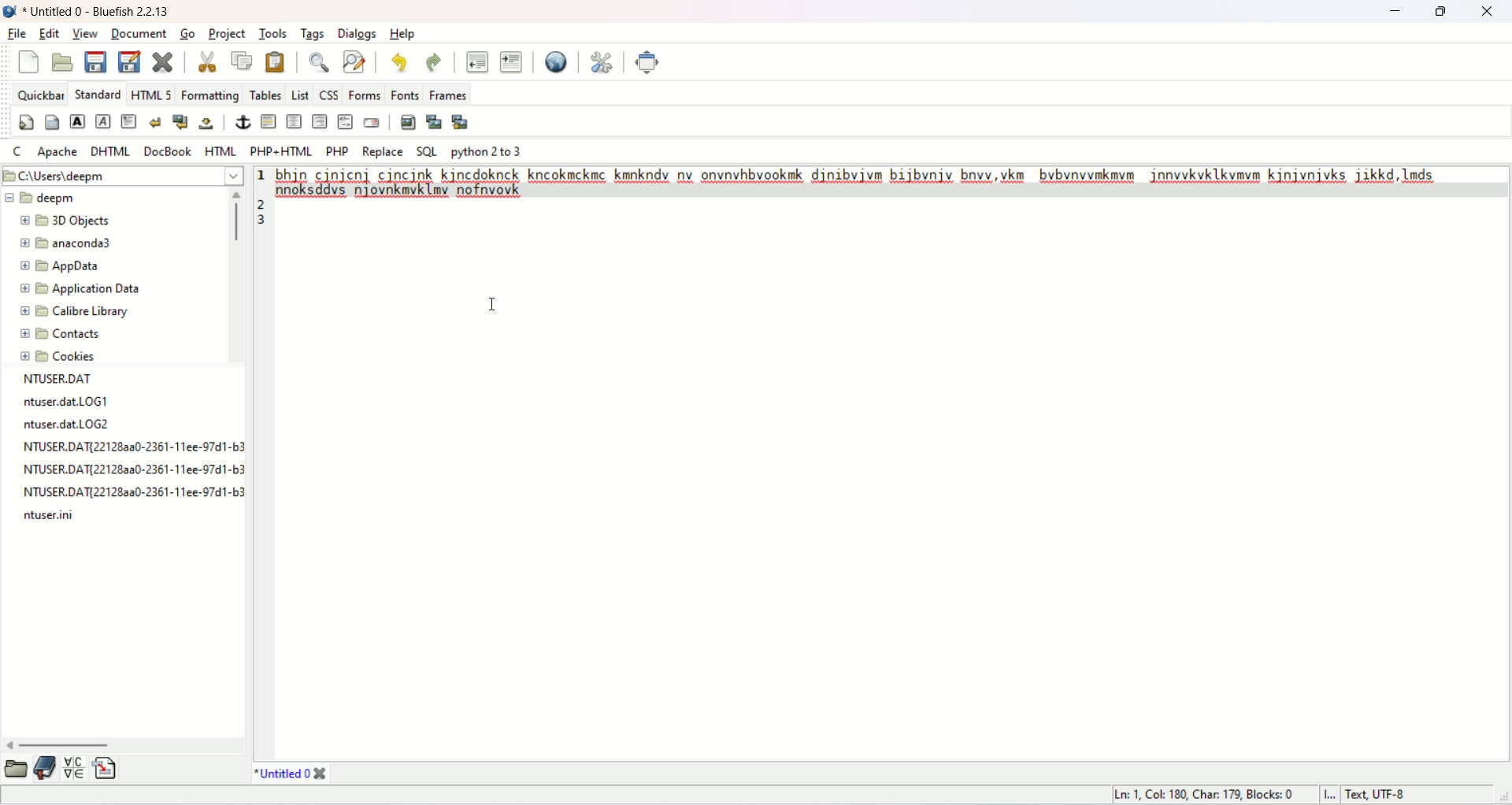 This screenshot has width=1512, height=805. Describe the element at coordinates (1203, 794) in the screenshot. I see `ln, col, char, block` at that location.